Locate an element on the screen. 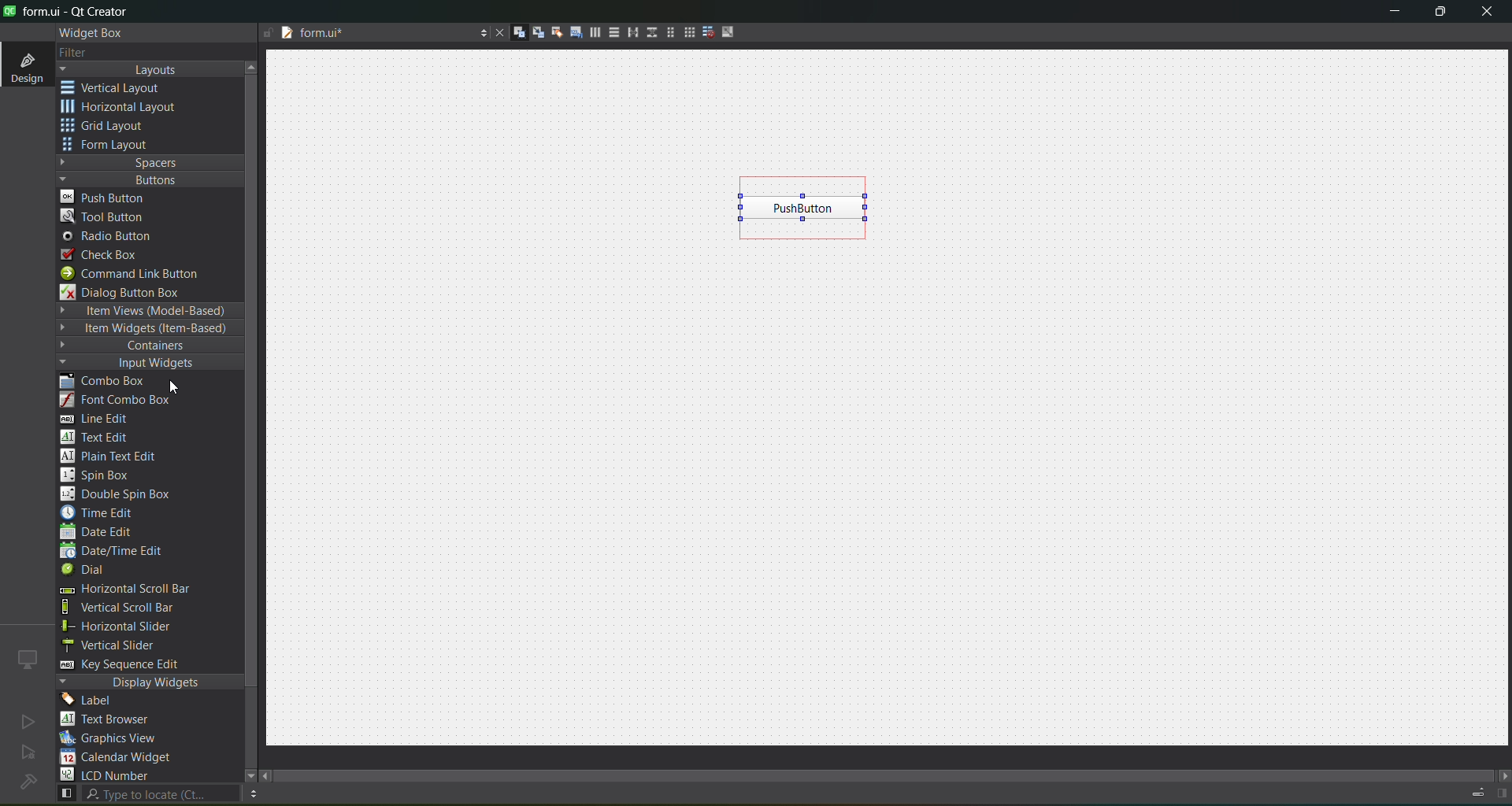 This screenshot has height=806, width=1512. layouts is located at coordinates (150, 69).